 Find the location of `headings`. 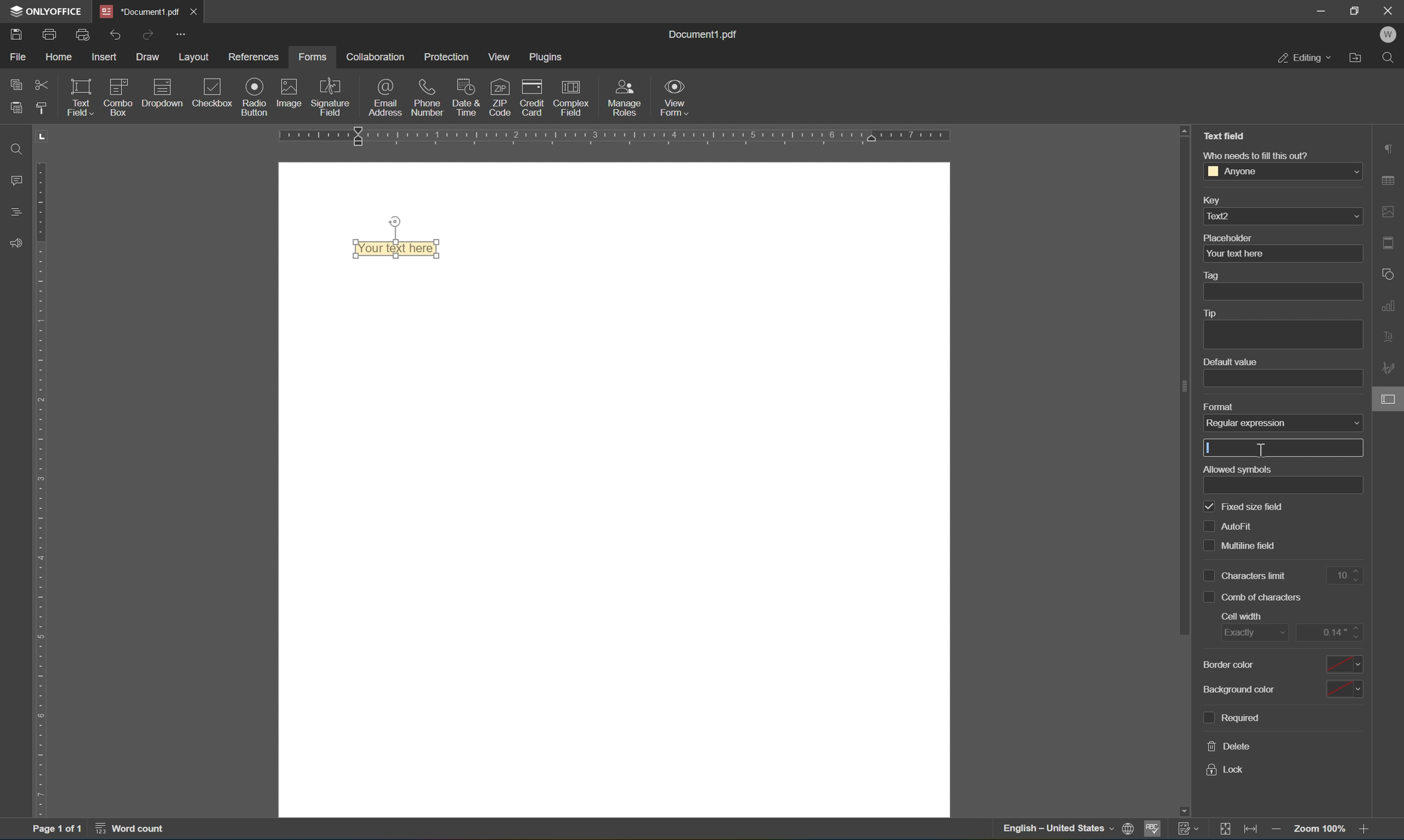

headings is located at coordinates (11, 211).